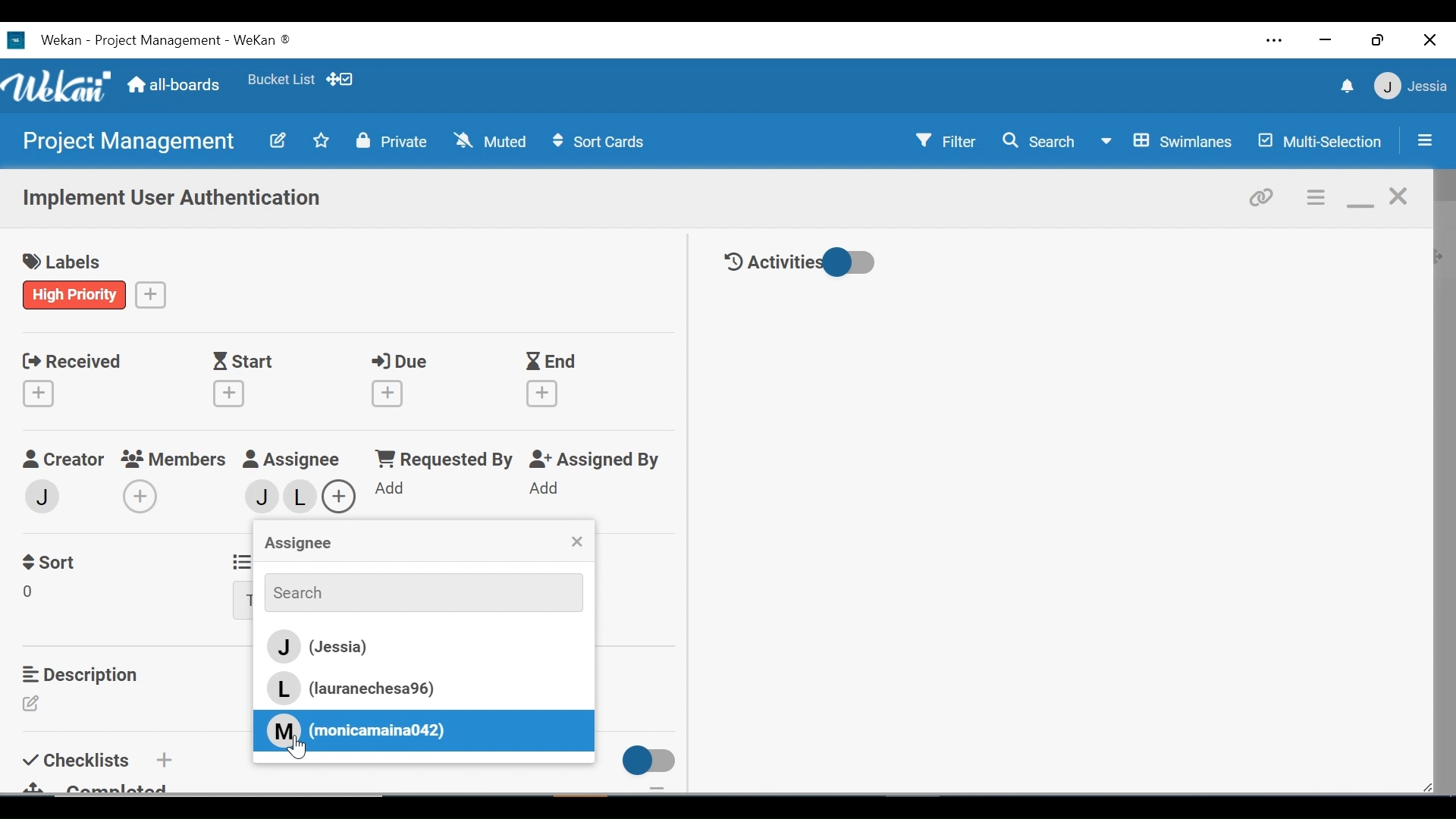 Image resolution: width=1456 pixels, height=819 pixels. I want to click on Add Member, so click(143, 496).